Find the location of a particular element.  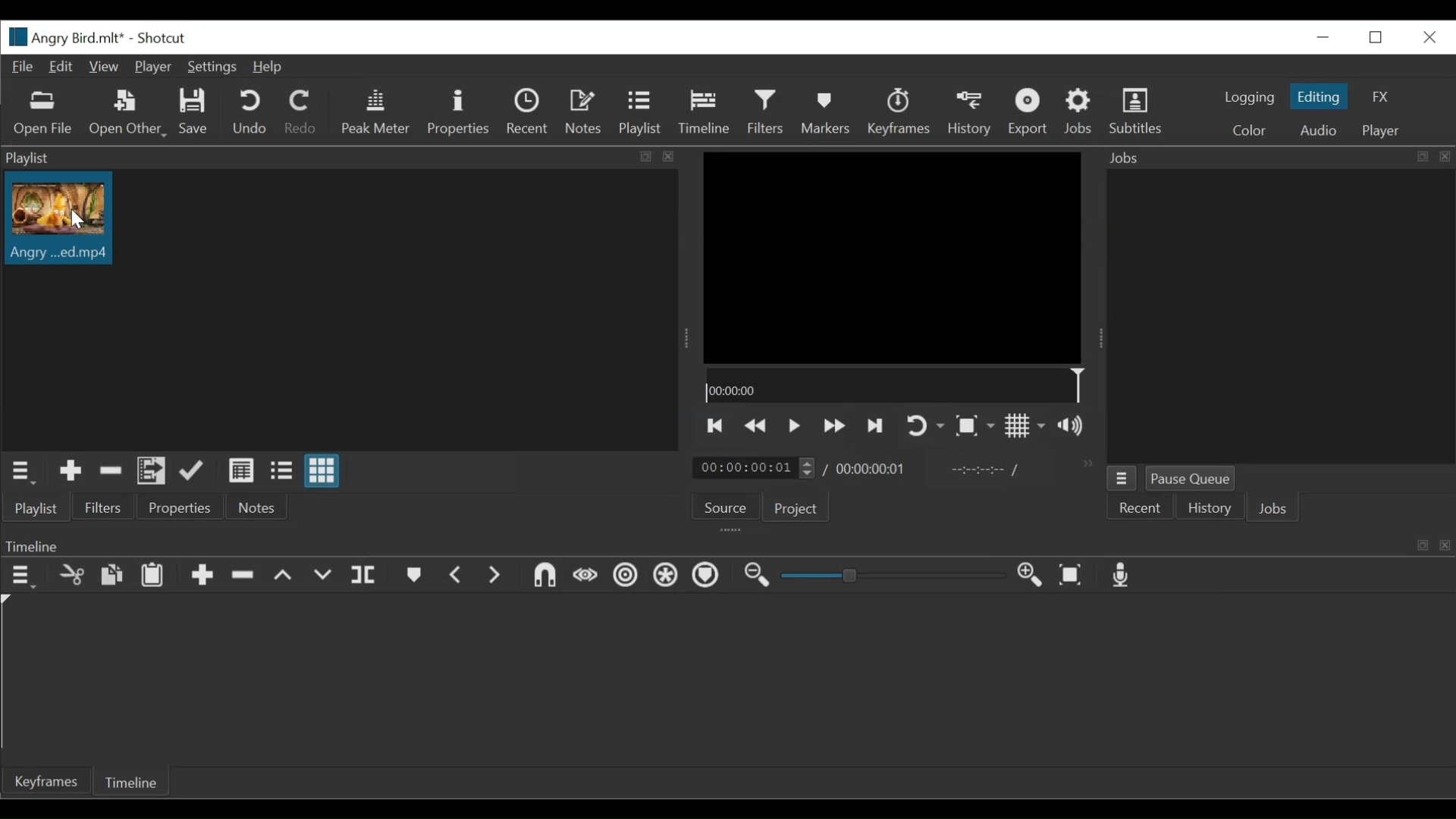

Timeline is located at coordinates (134, 784).